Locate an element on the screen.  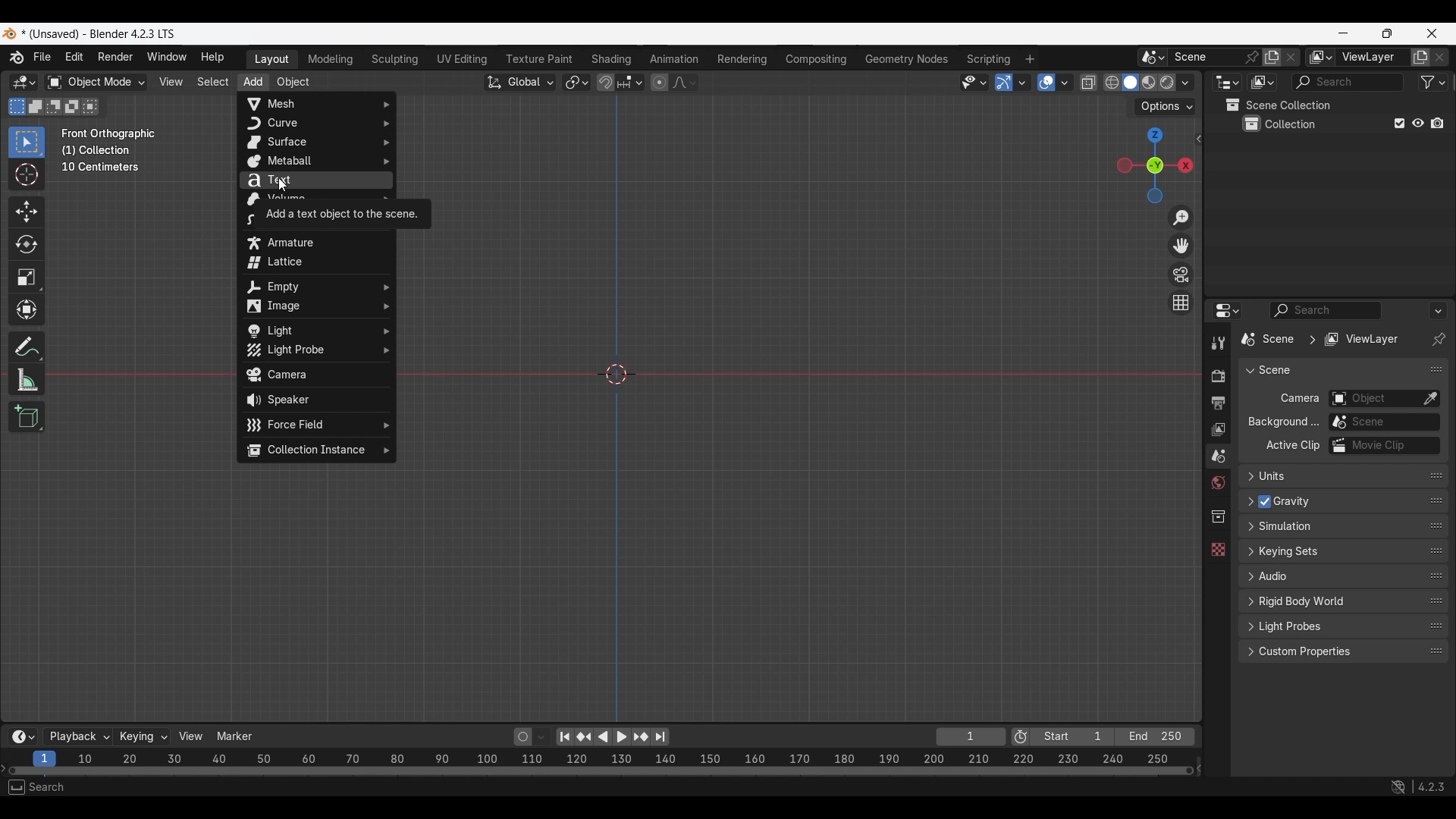
View layer is located at coordinates (1217, 431).